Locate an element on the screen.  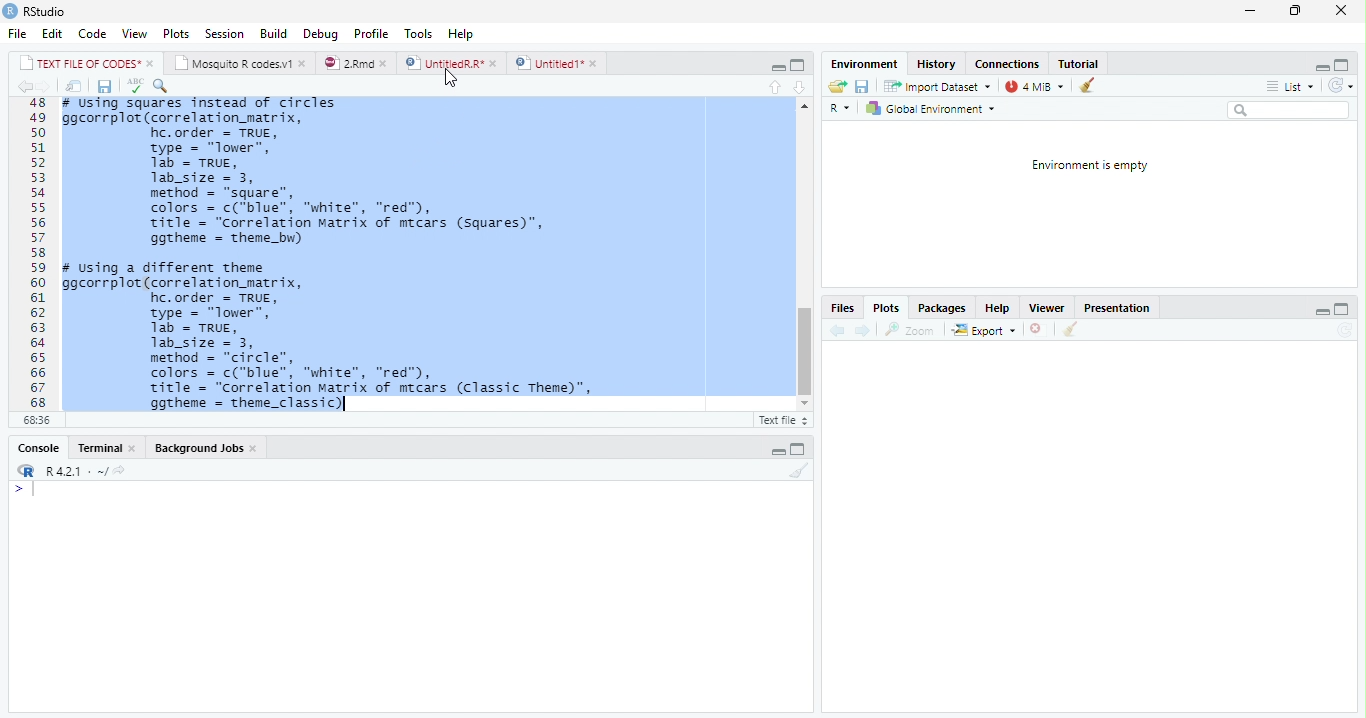
RScript  is located at coordinates (781, 421).